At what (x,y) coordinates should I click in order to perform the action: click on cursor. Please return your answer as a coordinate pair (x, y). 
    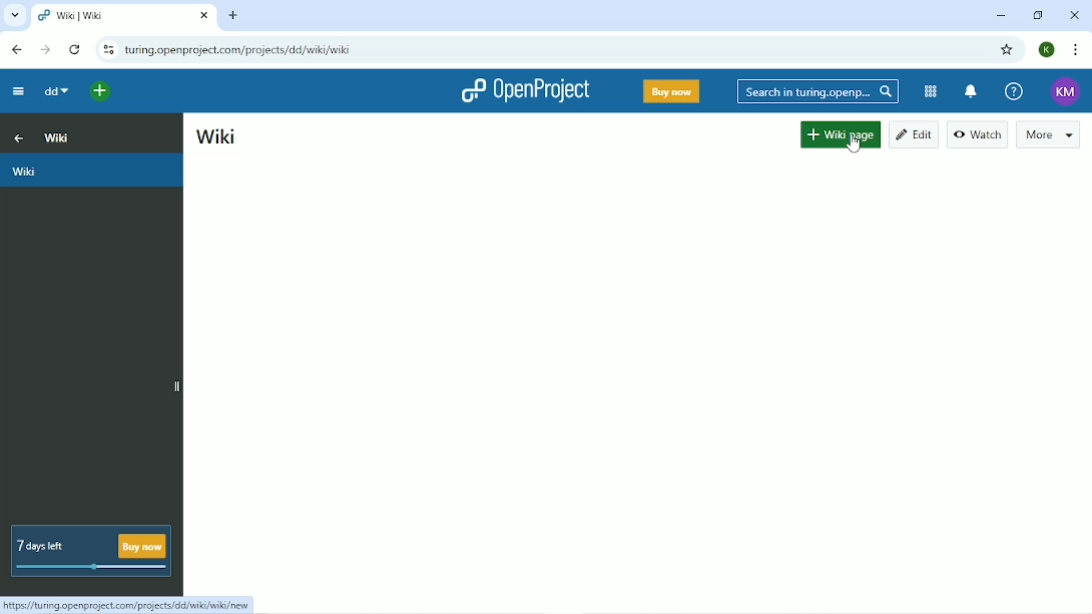
    Looking at the image, I should click on (854, 142).